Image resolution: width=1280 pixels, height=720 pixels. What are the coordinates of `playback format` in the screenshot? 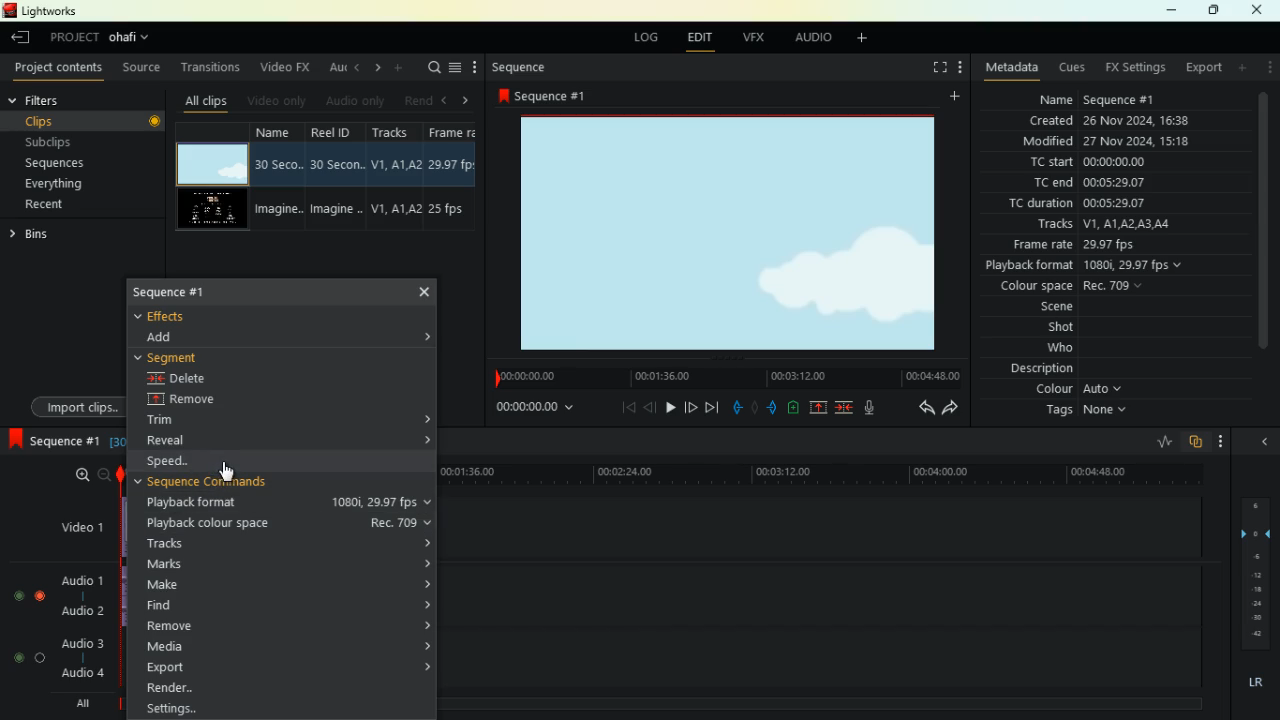 It's located at (286, 502).